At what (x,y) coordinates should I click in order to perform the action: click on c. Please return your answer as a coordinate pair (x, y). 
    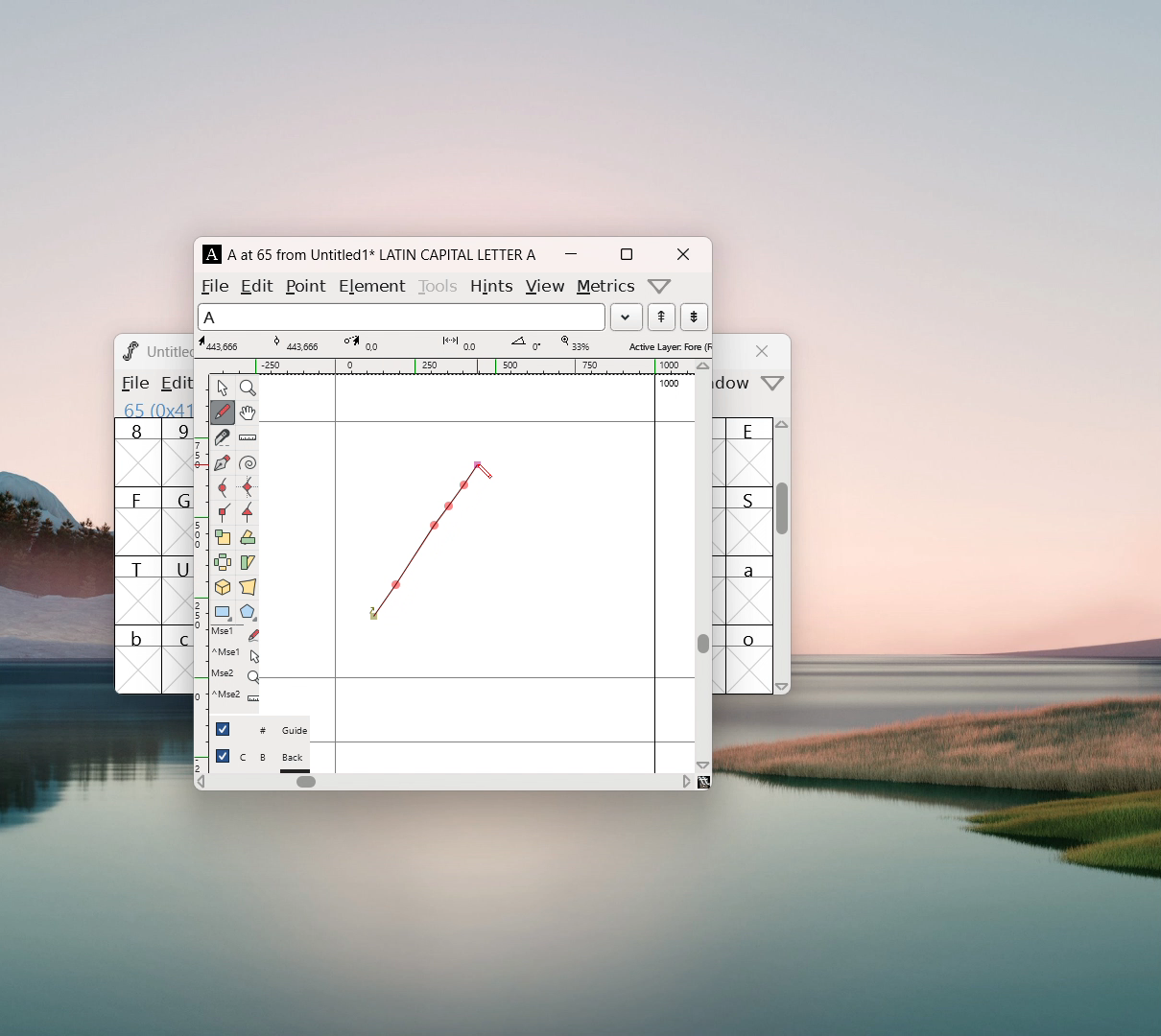
    Looking at the image, I should click on (178, 660).